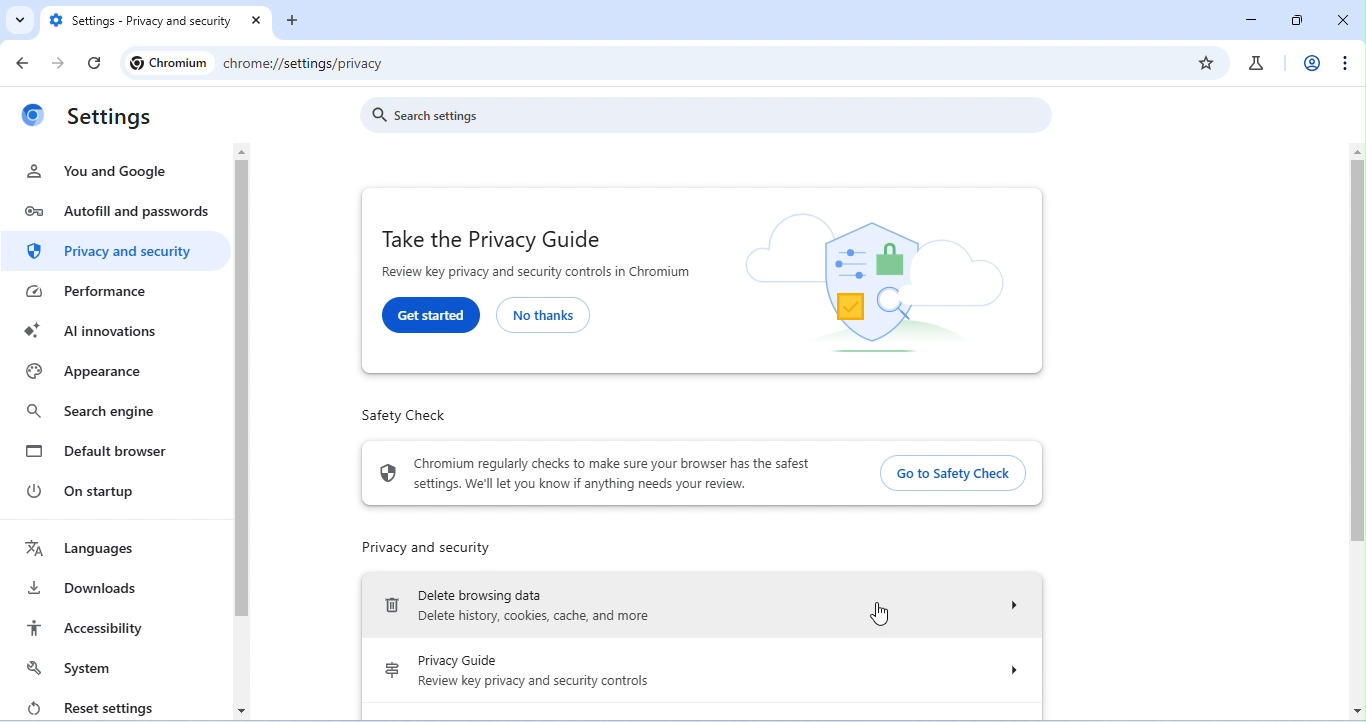 The image size is (1366, 722). What do you see at coordinates (87, 706) in the screenshot?
I see `reset settings` at bounding box center [87, 706].